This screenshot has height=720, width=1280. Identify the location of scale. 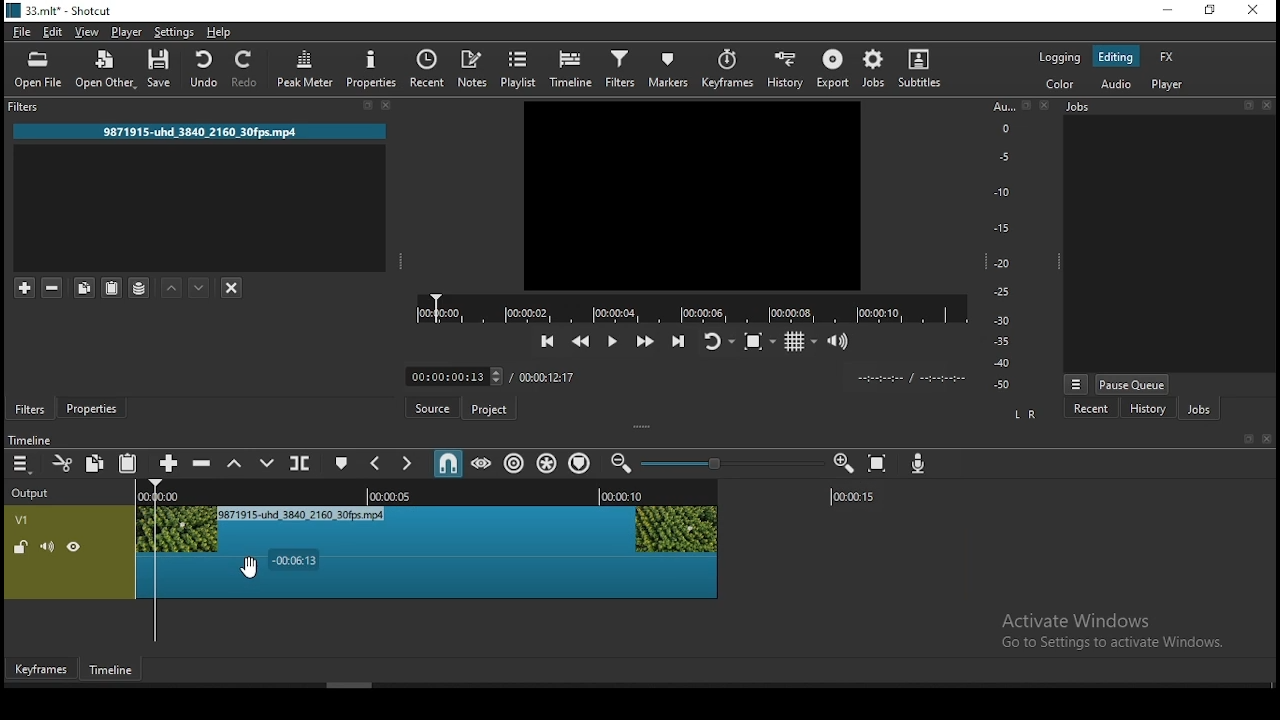
(1002, 246).